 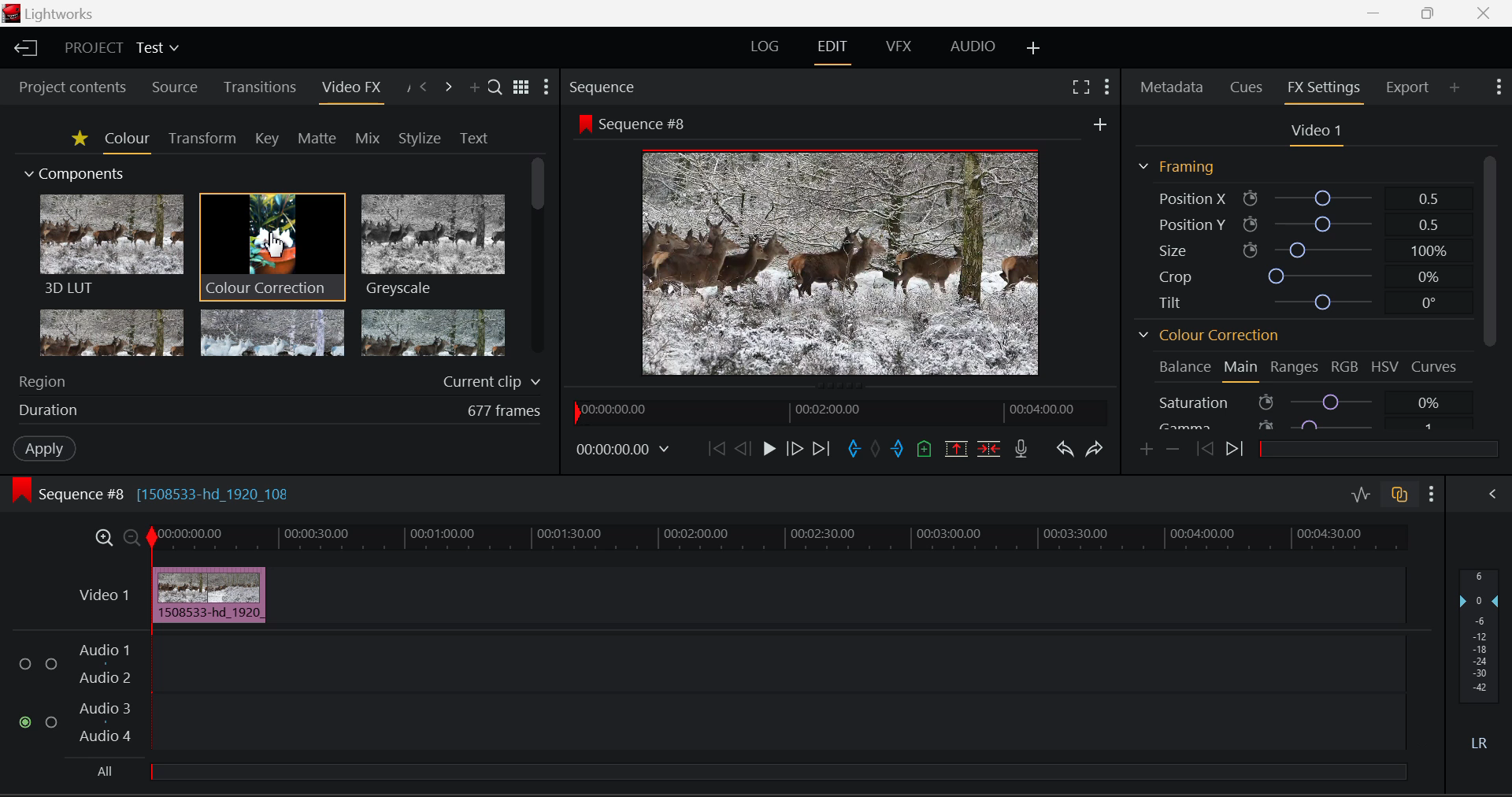 What do you see at coordinates (1323, 89) in the screenshot?
I see `FX Settings Open` at bounding box center [1323, 89].